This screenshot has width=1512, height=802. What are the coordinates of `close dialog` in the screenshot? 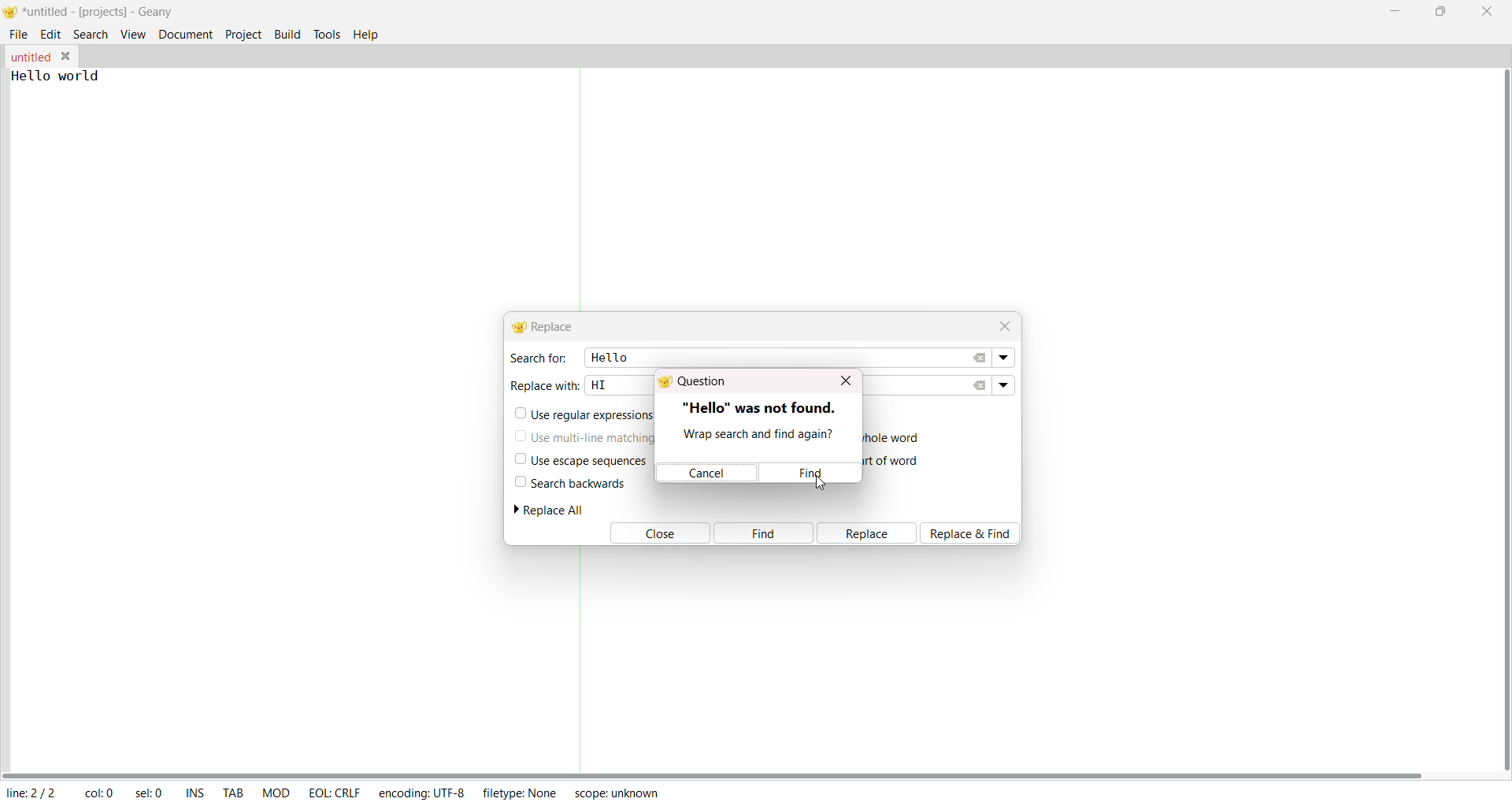 It's located at (1002, 324).